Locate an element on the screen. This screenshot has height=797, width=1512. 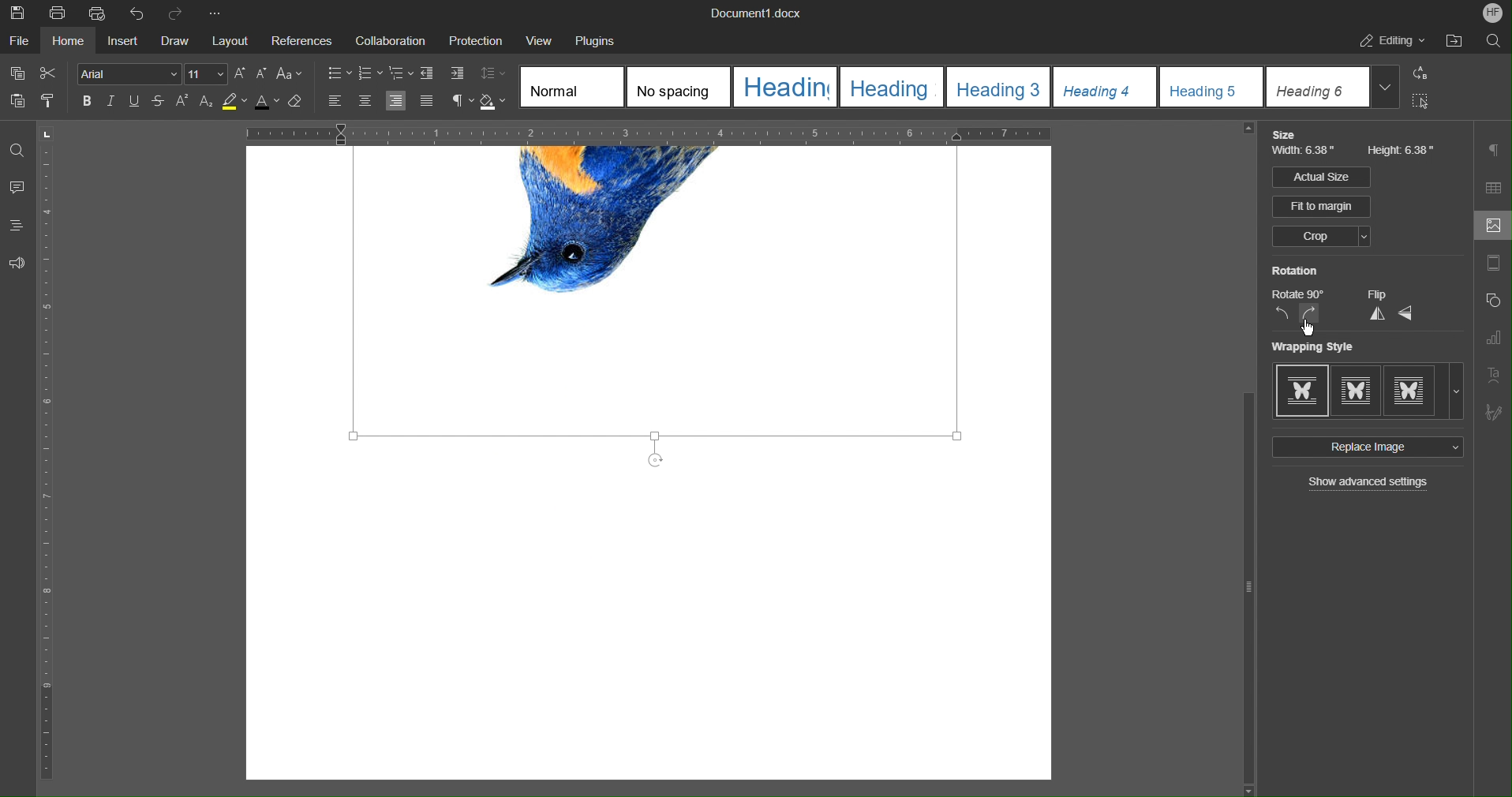
Replace is located at coordinates (1417, 73).